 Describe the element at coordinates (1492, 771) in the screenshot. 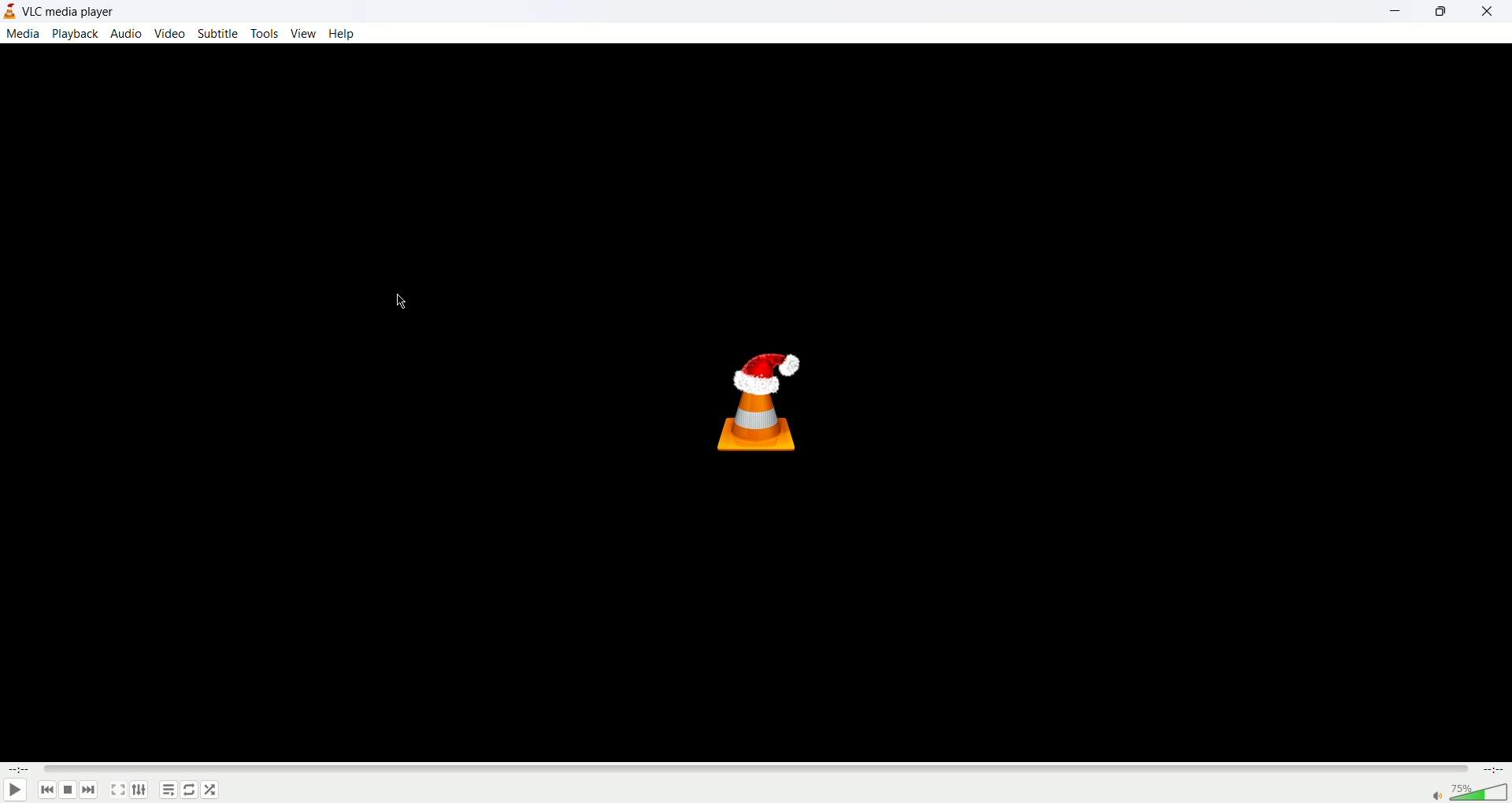

I see `remaining time` at that location.